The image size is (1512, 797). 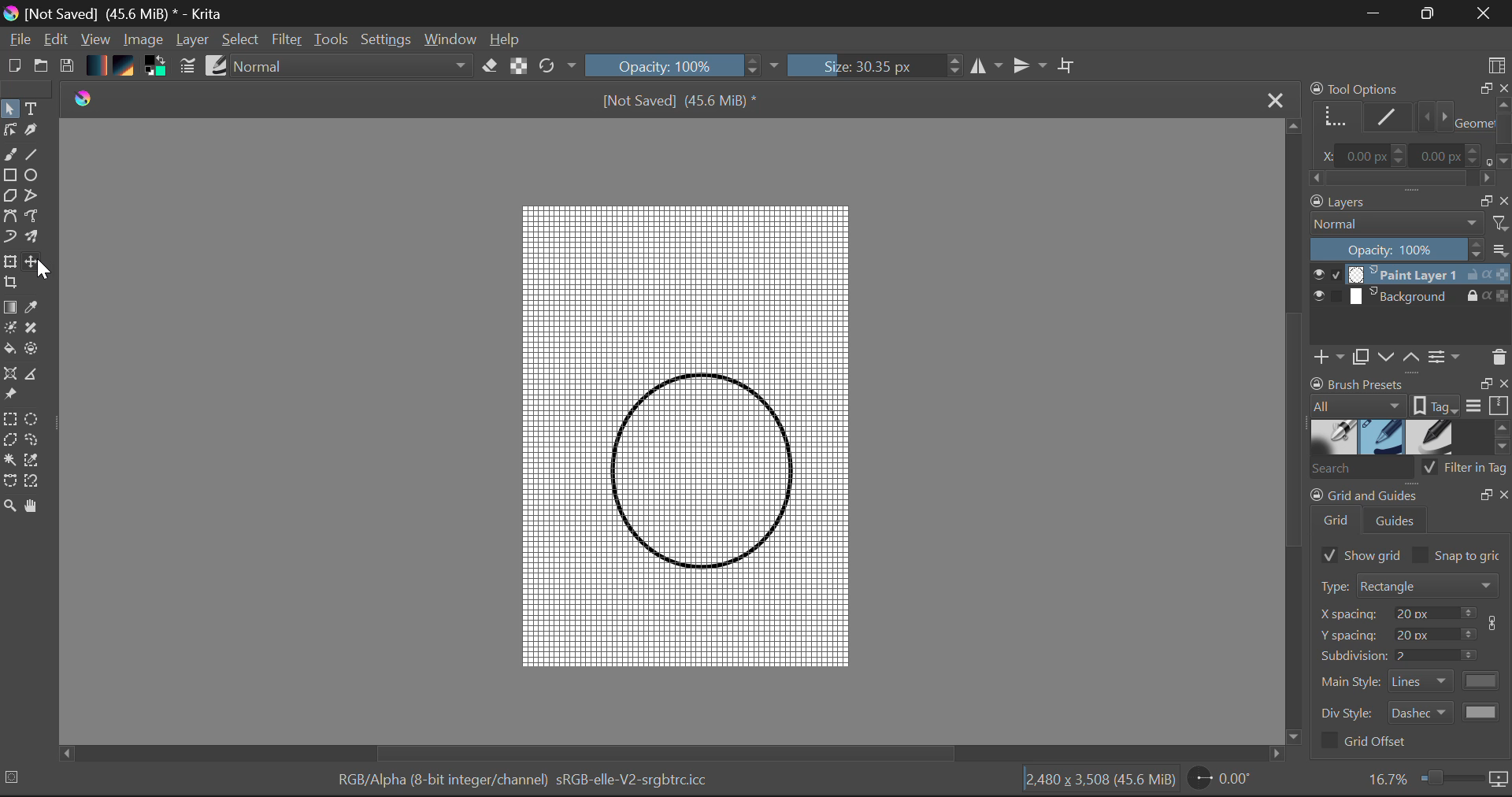 I want to click on Grid and Guides Docker, so click(x=1409, y=511).